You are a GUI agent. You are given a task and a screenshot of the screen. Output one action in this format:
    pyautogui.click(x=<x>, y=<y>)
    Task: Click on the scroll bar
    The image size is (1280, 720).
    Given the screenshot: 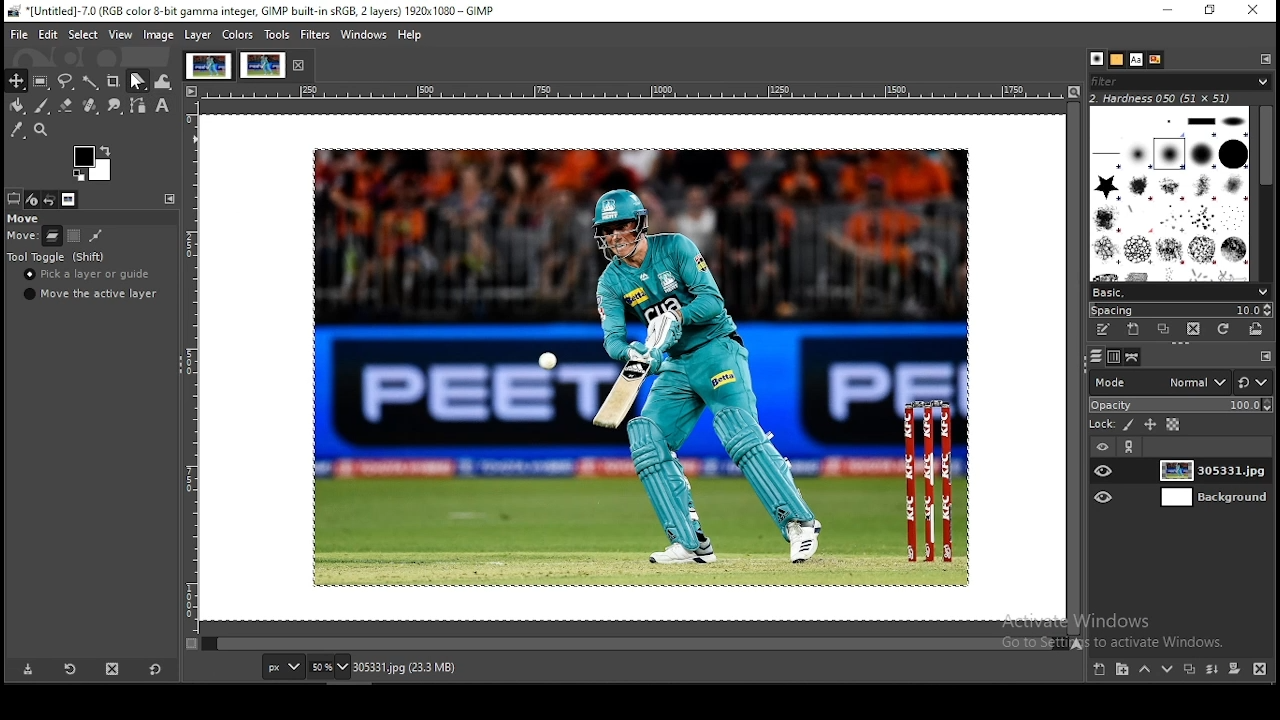 What is the action you would take?
    pyautogui.click(x=634, y=644)
    